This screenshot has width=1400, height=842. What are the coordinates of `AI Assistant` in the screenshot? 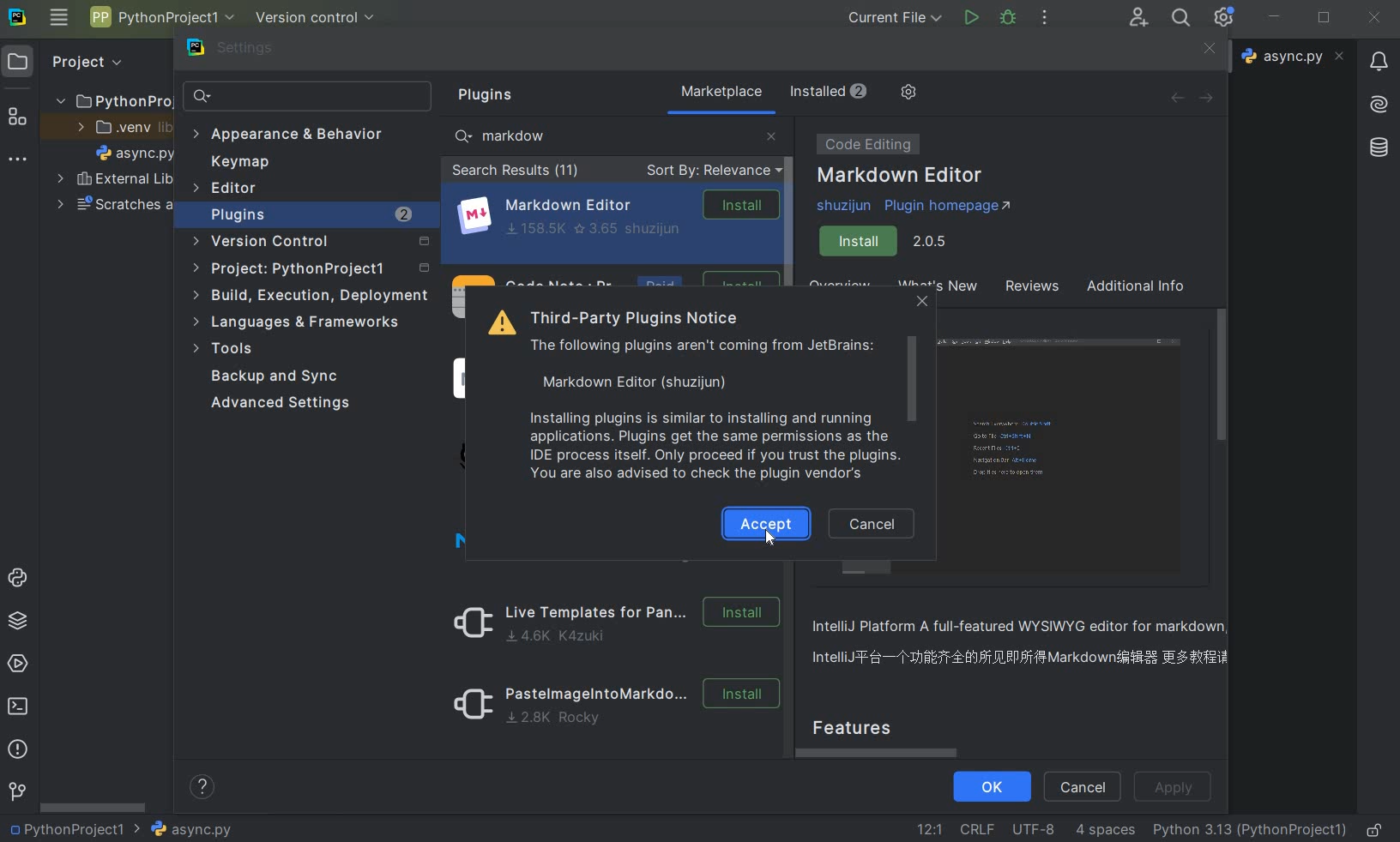 It's located at (1379, 105).